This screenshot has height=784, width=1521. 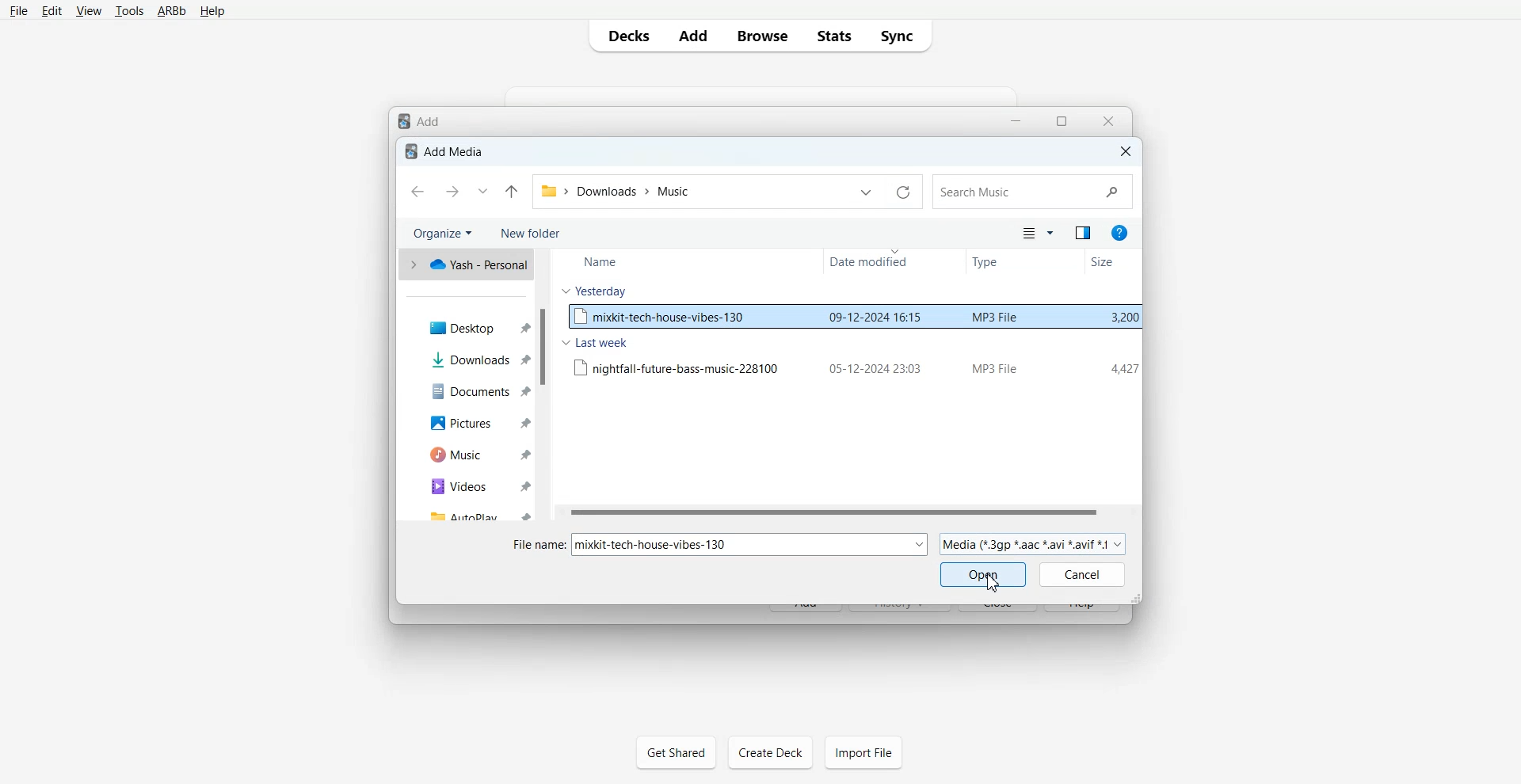 I want to click on File Selected, so click(x=853, y=315).